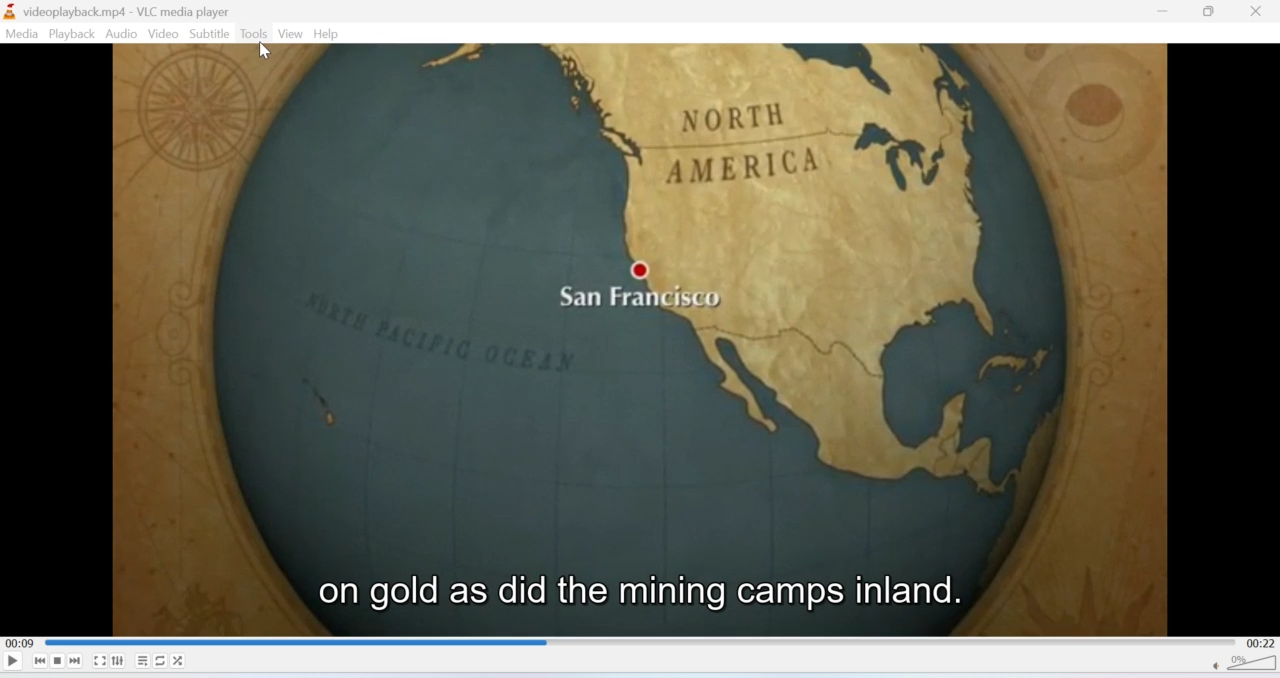 The width and height of the screenshot is (1280, 678). I want to click on Playback, so click(70, 34).